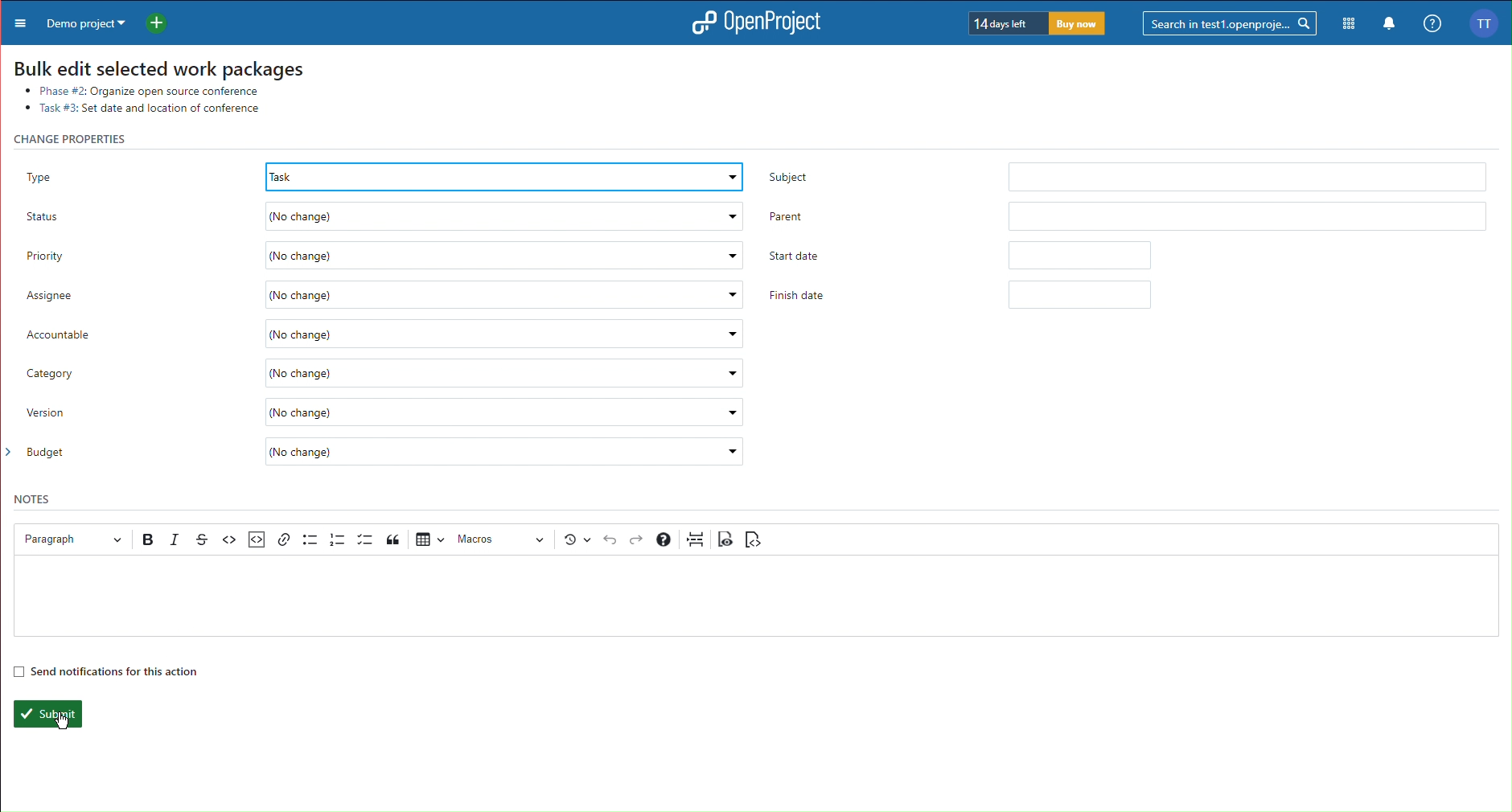 Image resolution: width=1512 pixels, height=812 pixels. Describe the element at coordinates (1038, 23) in the screenshot. I see `Trial timer` at that location.